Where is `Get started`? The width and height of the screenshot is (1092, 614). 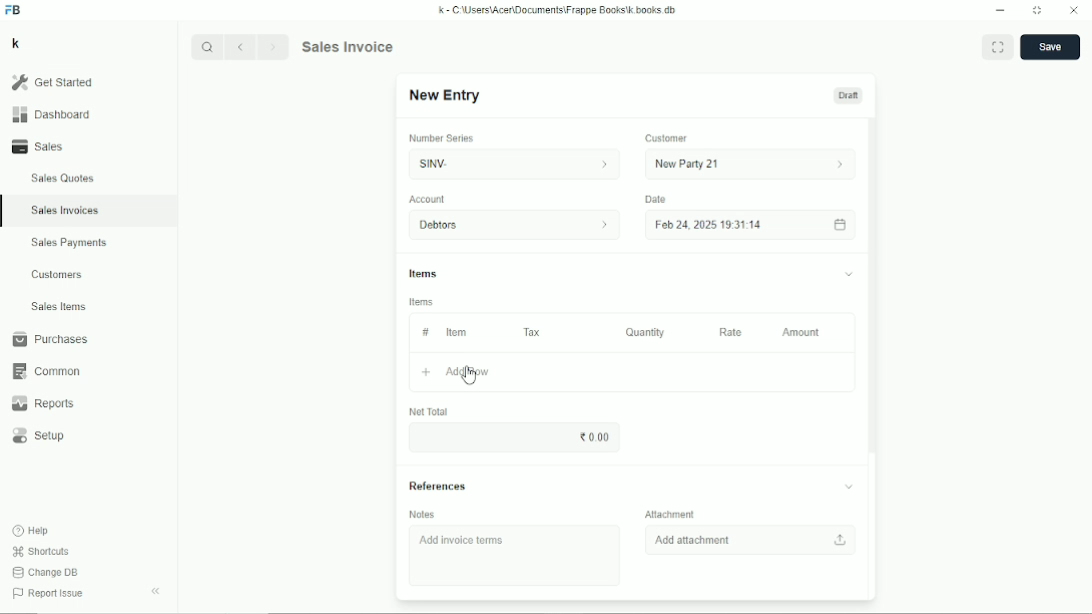 Get started is located at coordinates (51, 82).